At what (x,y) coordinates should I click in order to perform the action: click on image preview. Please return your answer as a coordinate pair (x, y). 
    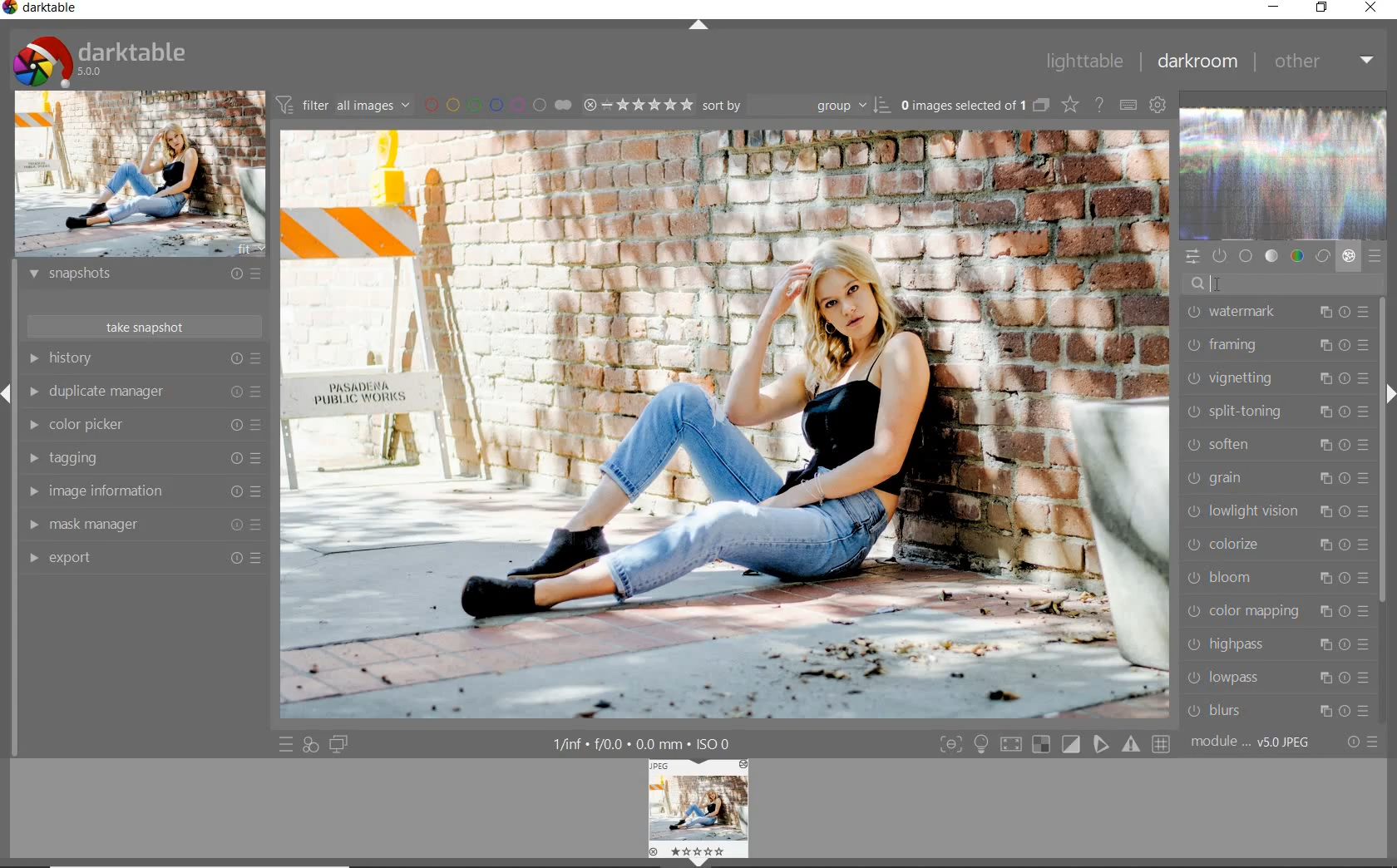
    Looking at the image, I should click on (139, 175).